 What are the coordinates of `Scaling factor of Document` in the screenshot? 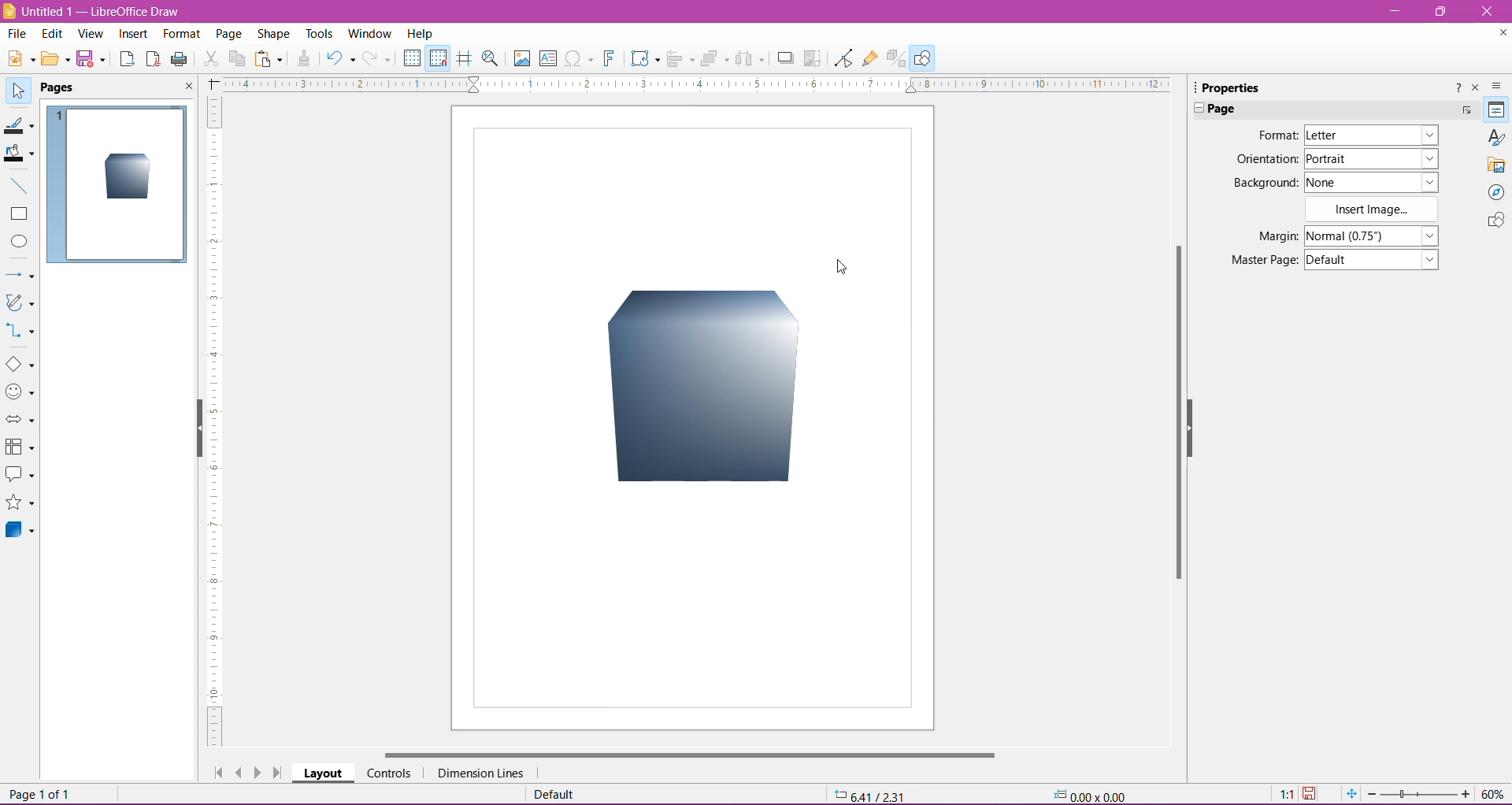 It's located at (1286, 795).